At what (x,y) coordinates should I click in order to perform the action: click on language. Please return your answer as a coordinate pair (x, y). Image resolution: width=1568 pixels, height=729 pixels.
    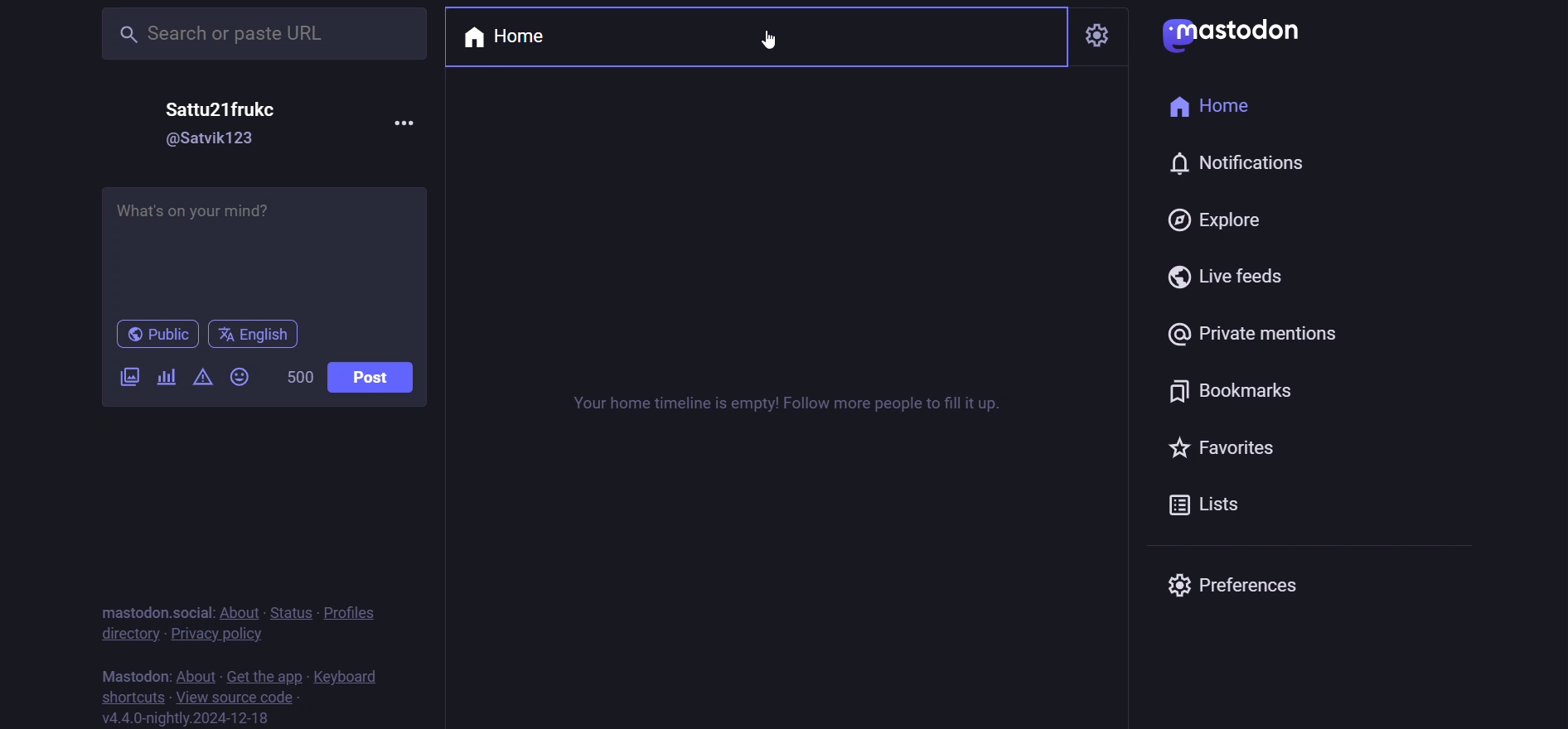
    Looking at the image, I should click on (259, 332).